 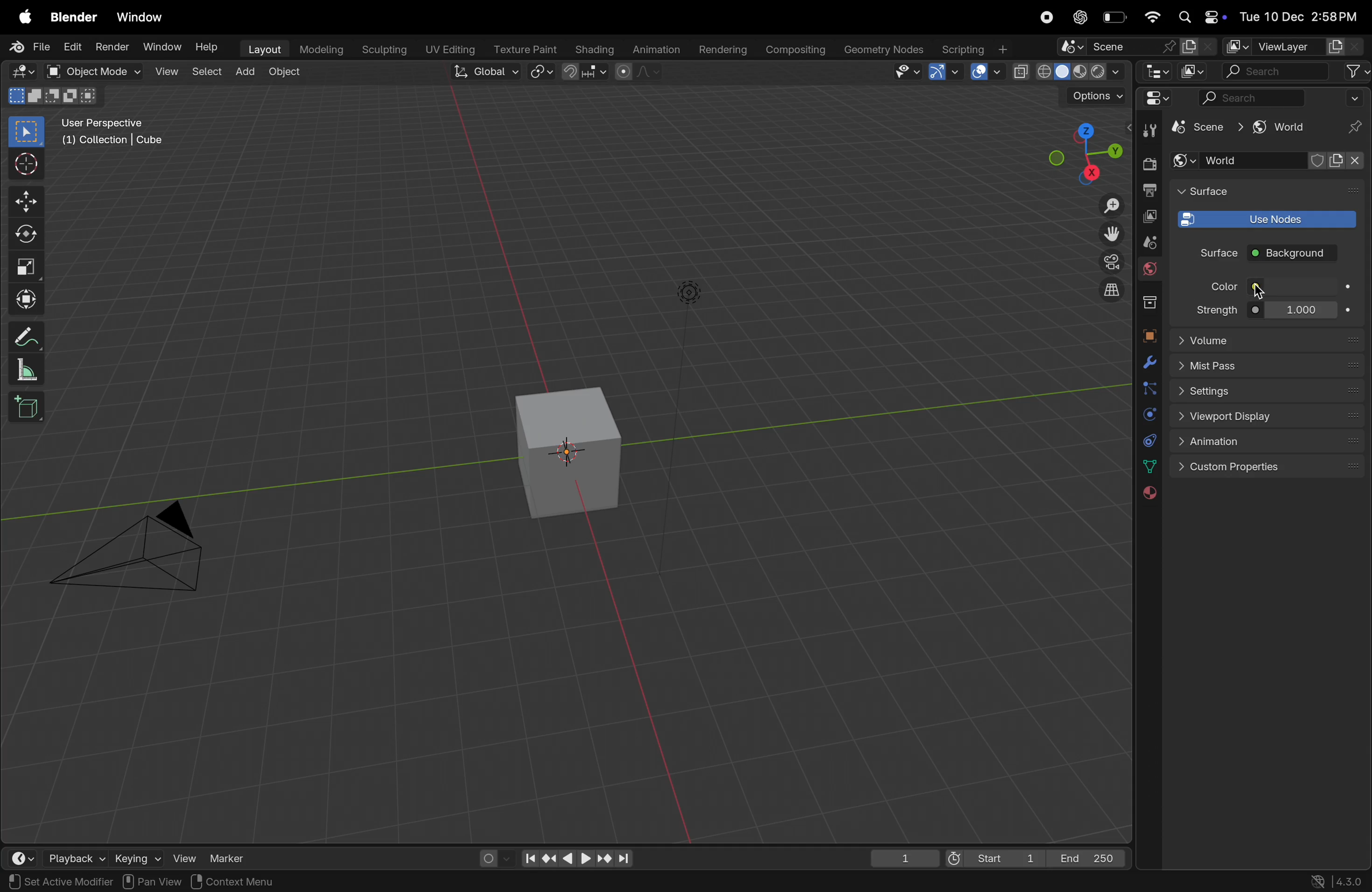 What do you see at coordinates (1292, 255) in the screenshot?
I see `back ground` at bounding box center [1292, 255].